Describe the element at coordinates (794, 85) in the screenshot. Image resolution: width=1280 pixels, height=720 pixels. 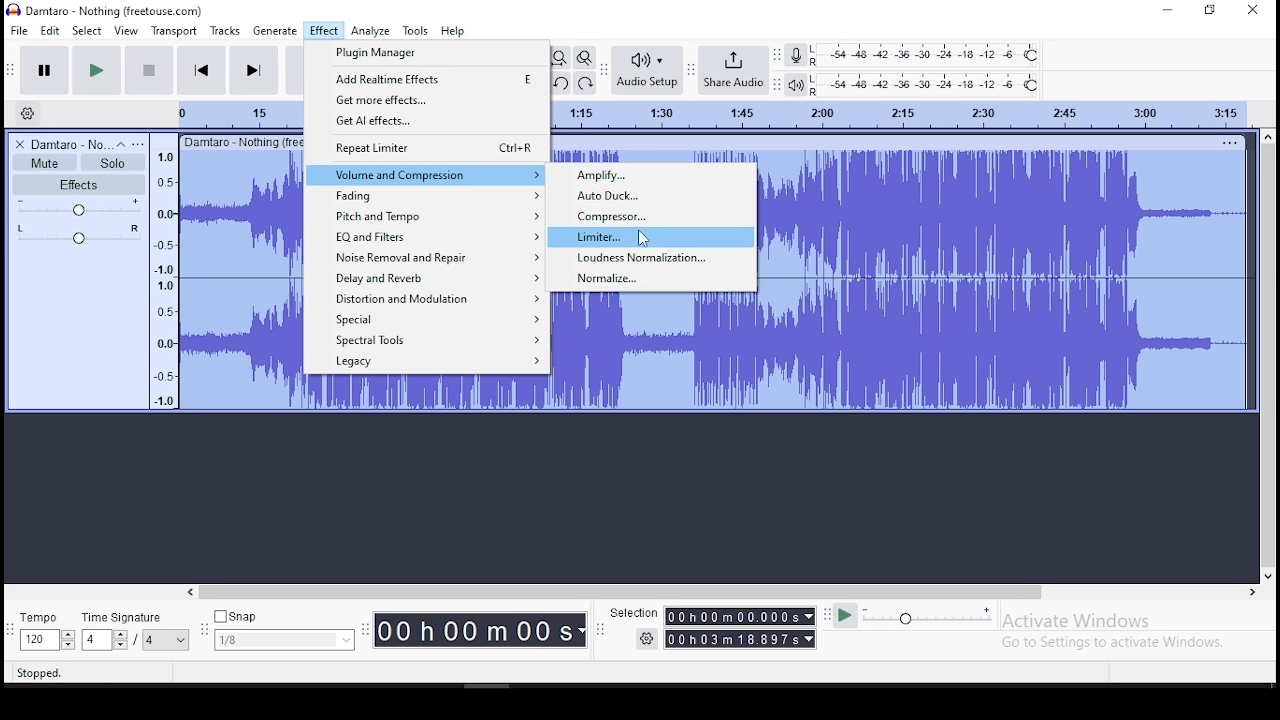
I see `playback meter` at that location.